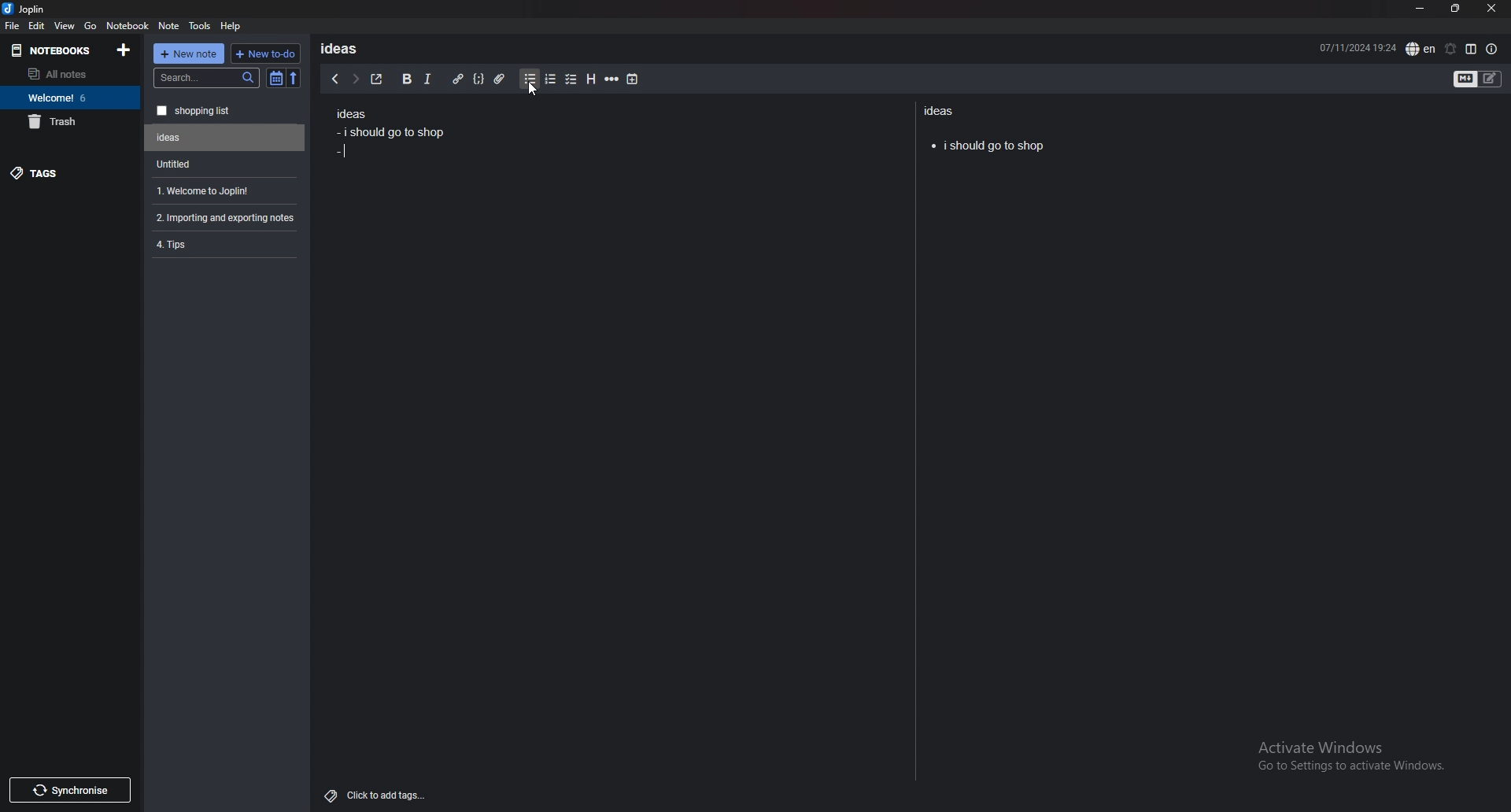 This screenshot has width=1511, height=812. I want to click on cursor, so click(533, 92).